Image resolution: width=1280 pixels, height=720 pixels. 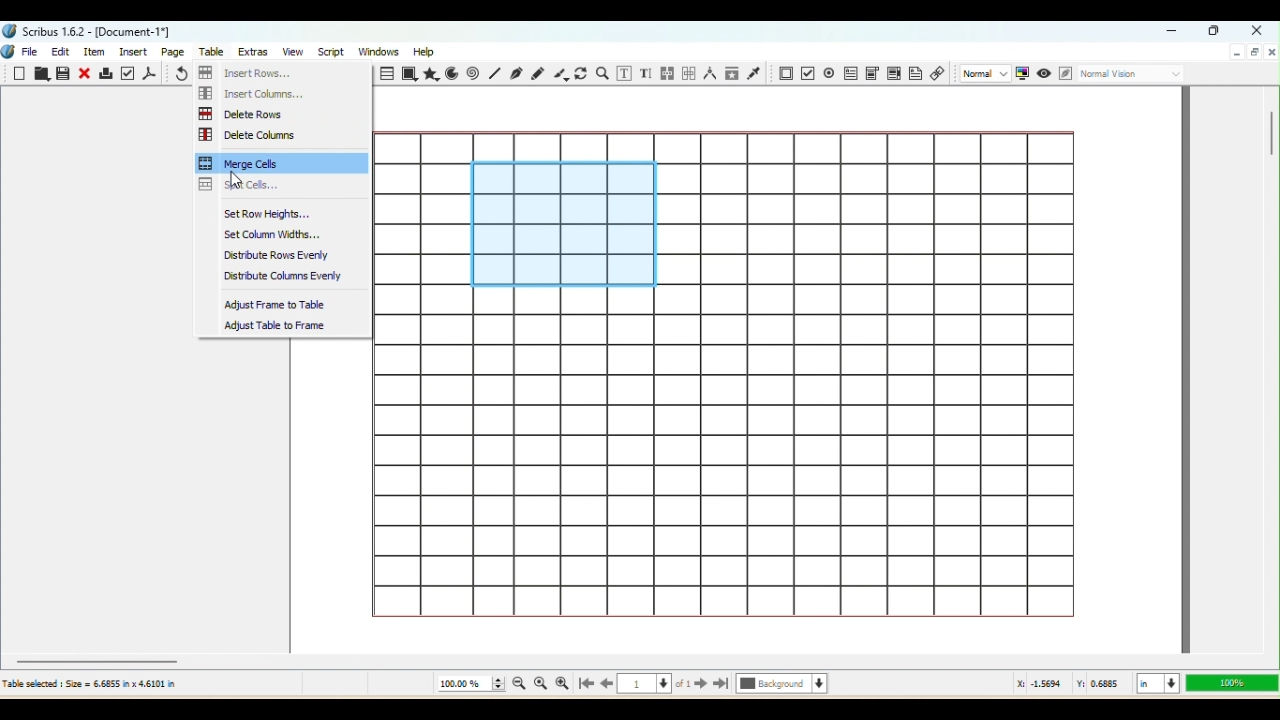 What do you see at coordinates (938, 75) in the screenshot?
I see `Link annotation` at bounding box center [938, 75].